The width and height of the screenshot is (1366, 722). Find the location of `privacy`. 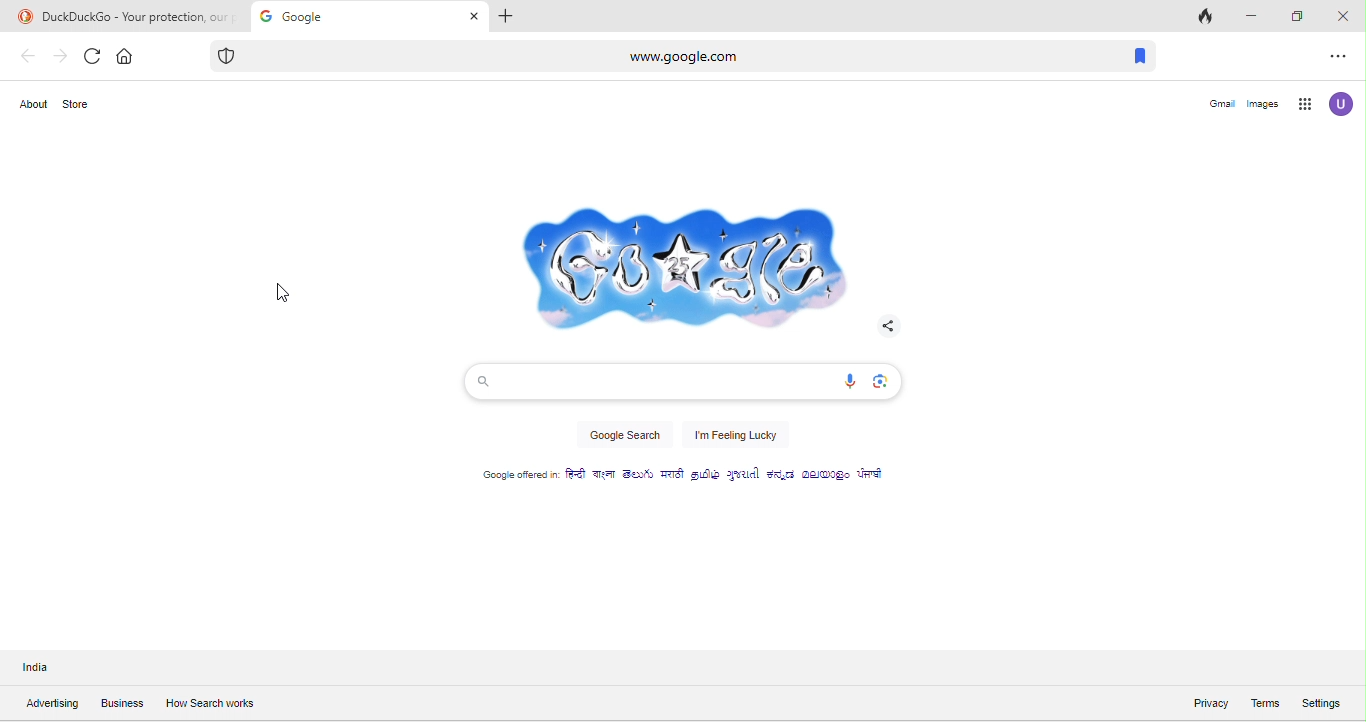

privacy is located at coordinates (1199, 701).